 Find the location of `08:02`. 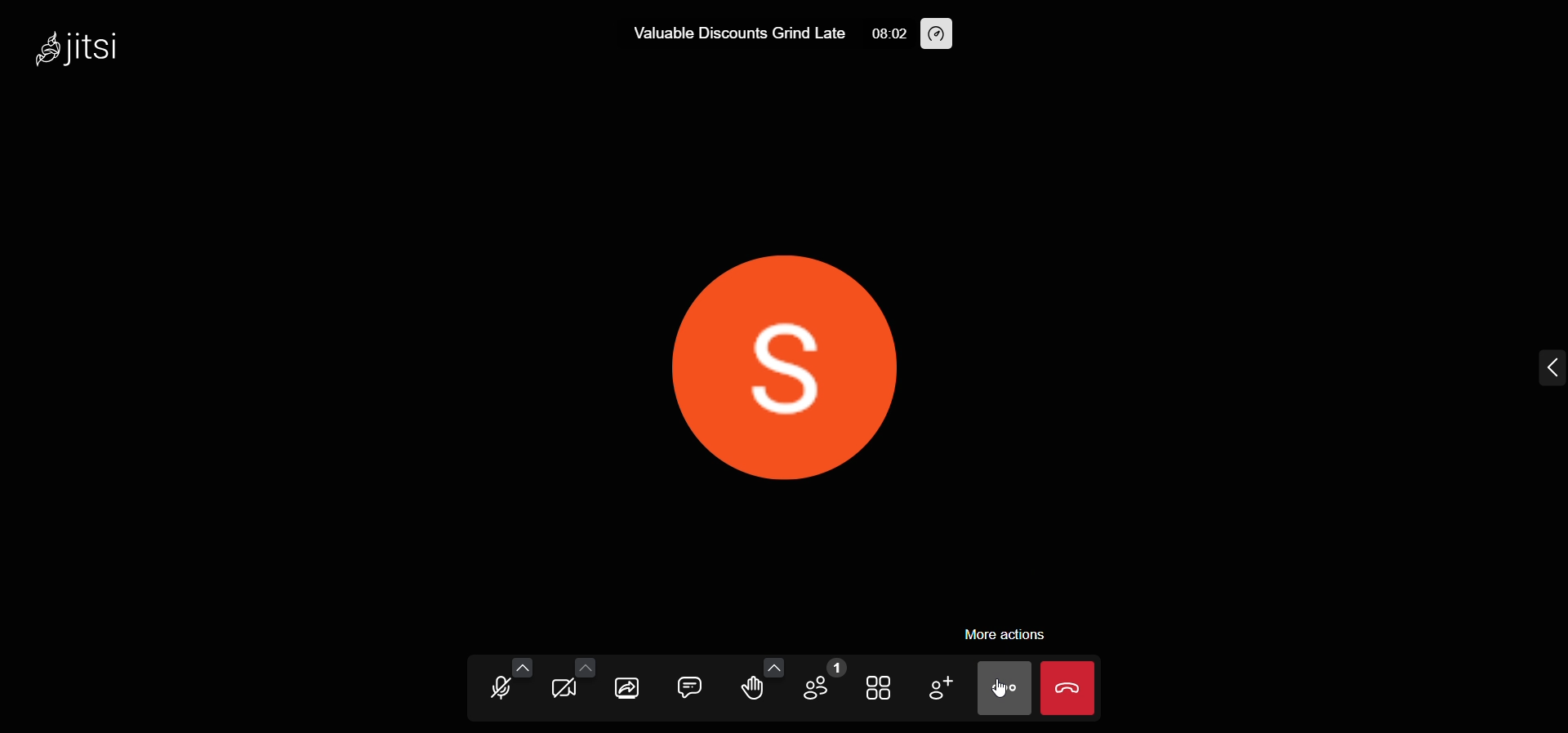

08:02 is located at coordinates (886, 33).